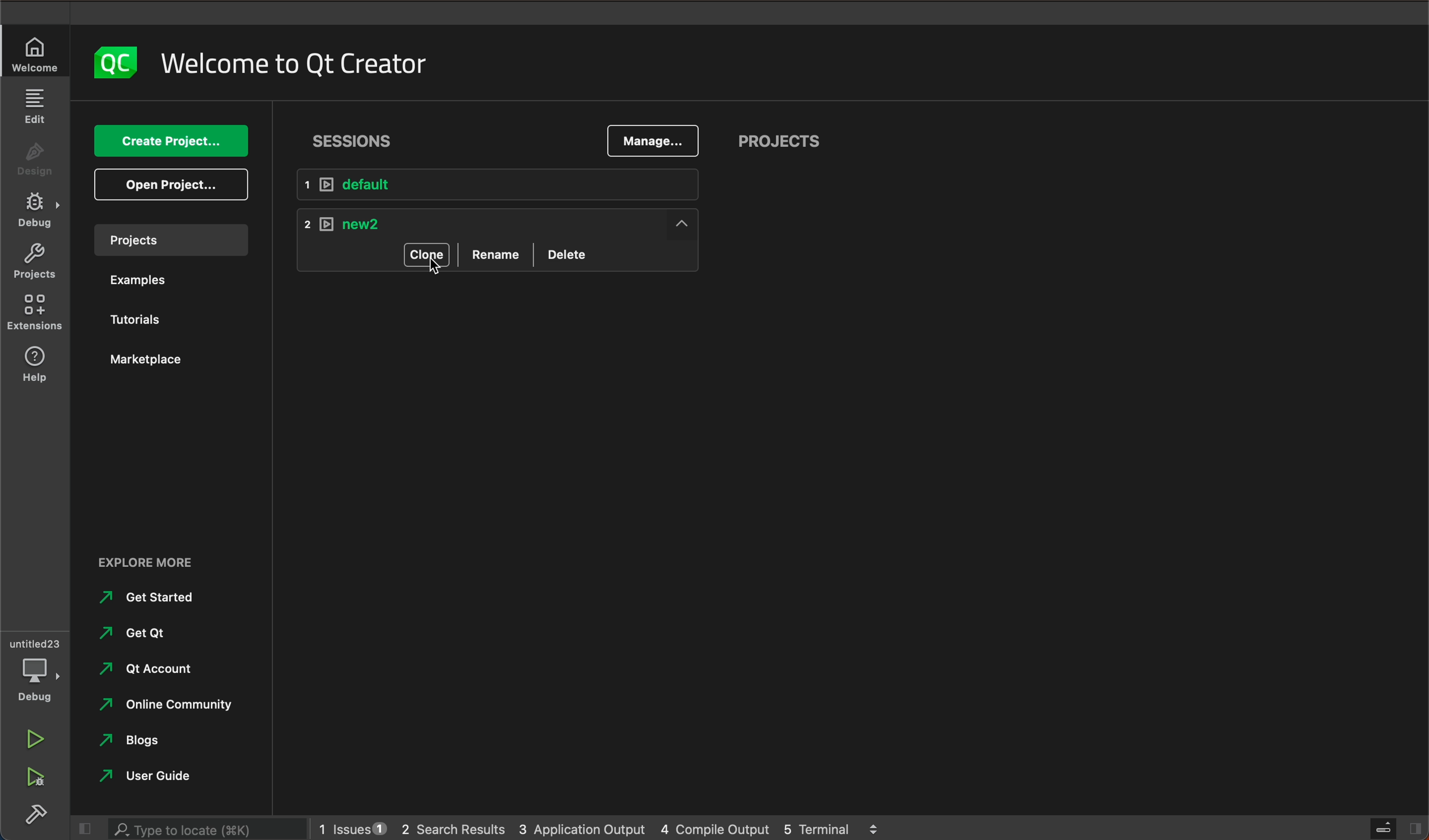 Image resolution: width=1429 pixels, height=840 pixels. What do you see at coordinates (653, 141) in the screenshot?
I see `mange ` at bounding box center [653, 141].